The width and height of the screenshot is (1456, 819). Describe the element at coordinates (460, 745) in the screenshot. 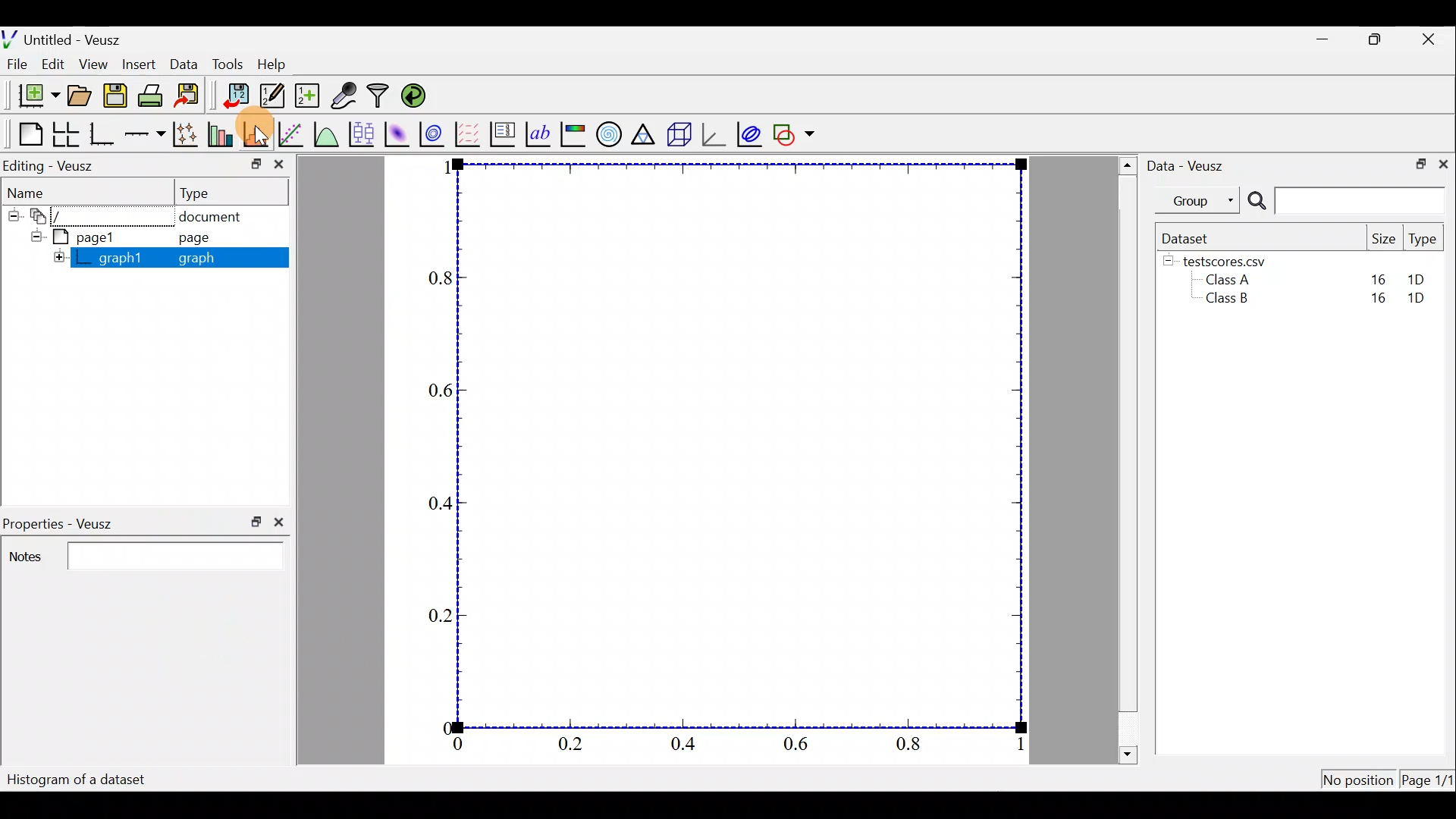

I see `0` at that location.